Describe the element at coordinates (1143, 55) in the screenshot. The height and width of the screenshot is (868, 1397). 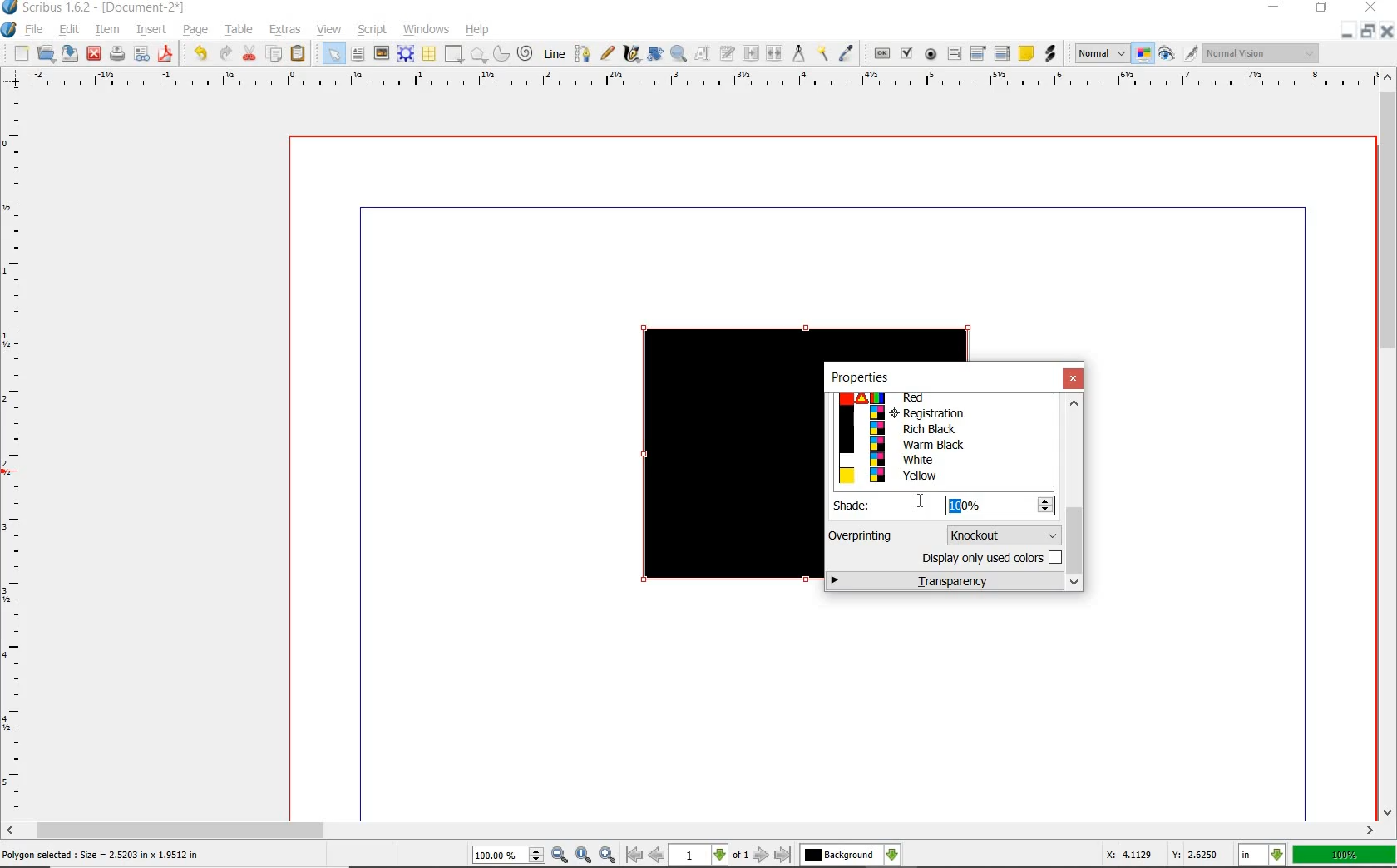
I see `toggle management system` at that location.